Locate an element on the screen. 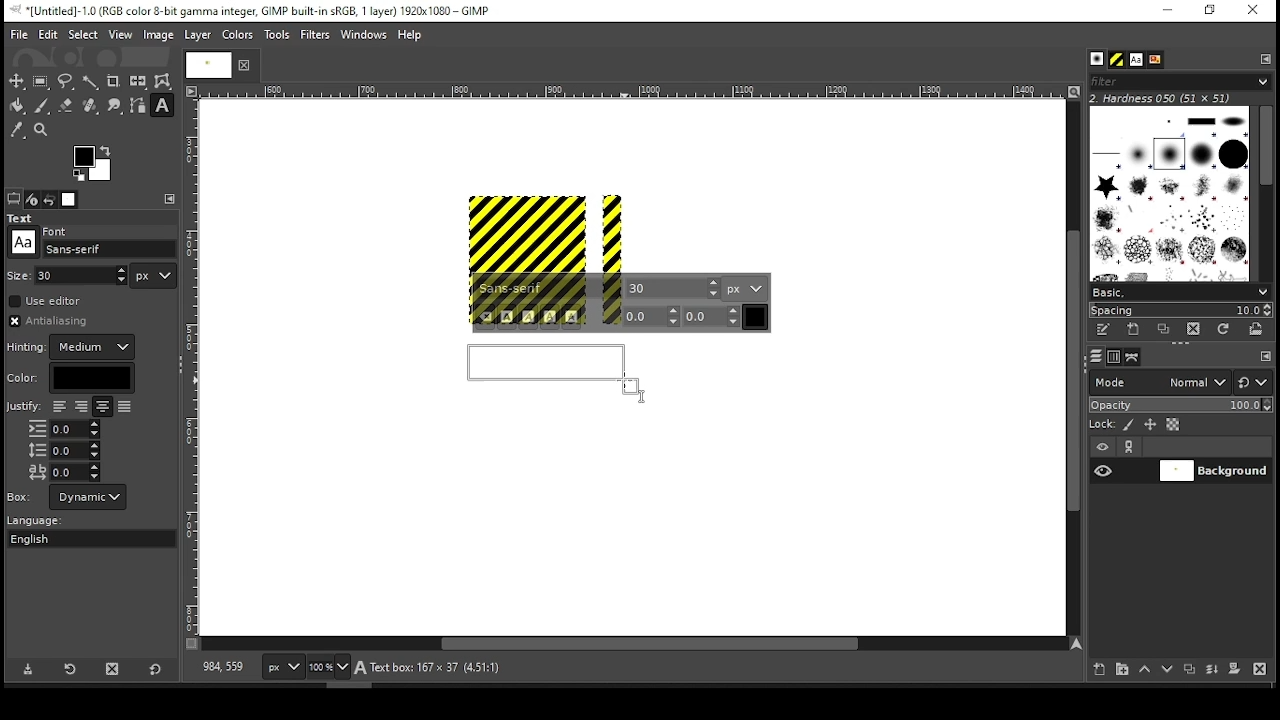  text tool is located at coordinates (162, 107).